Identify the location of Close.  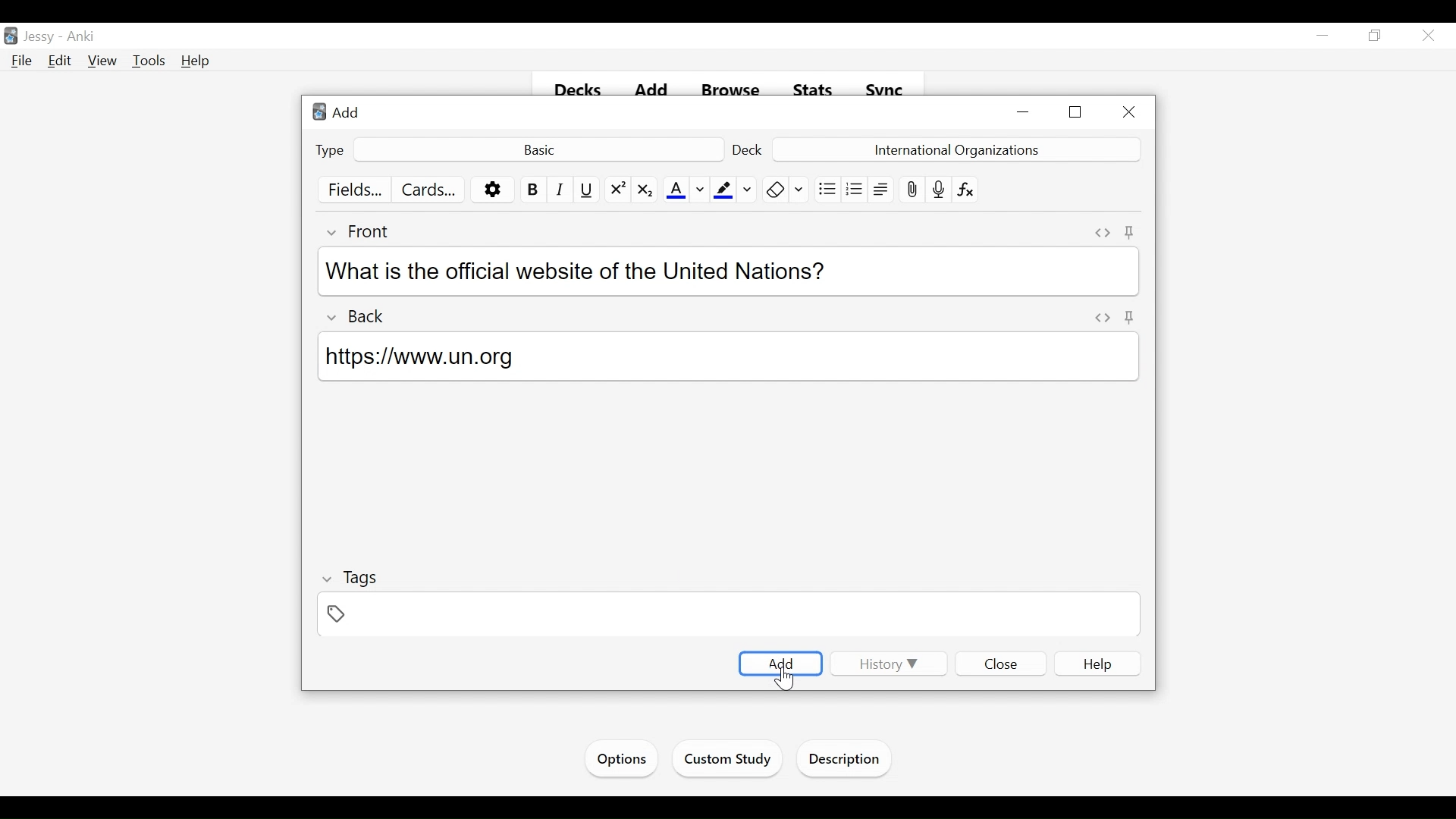
(1129, 111).